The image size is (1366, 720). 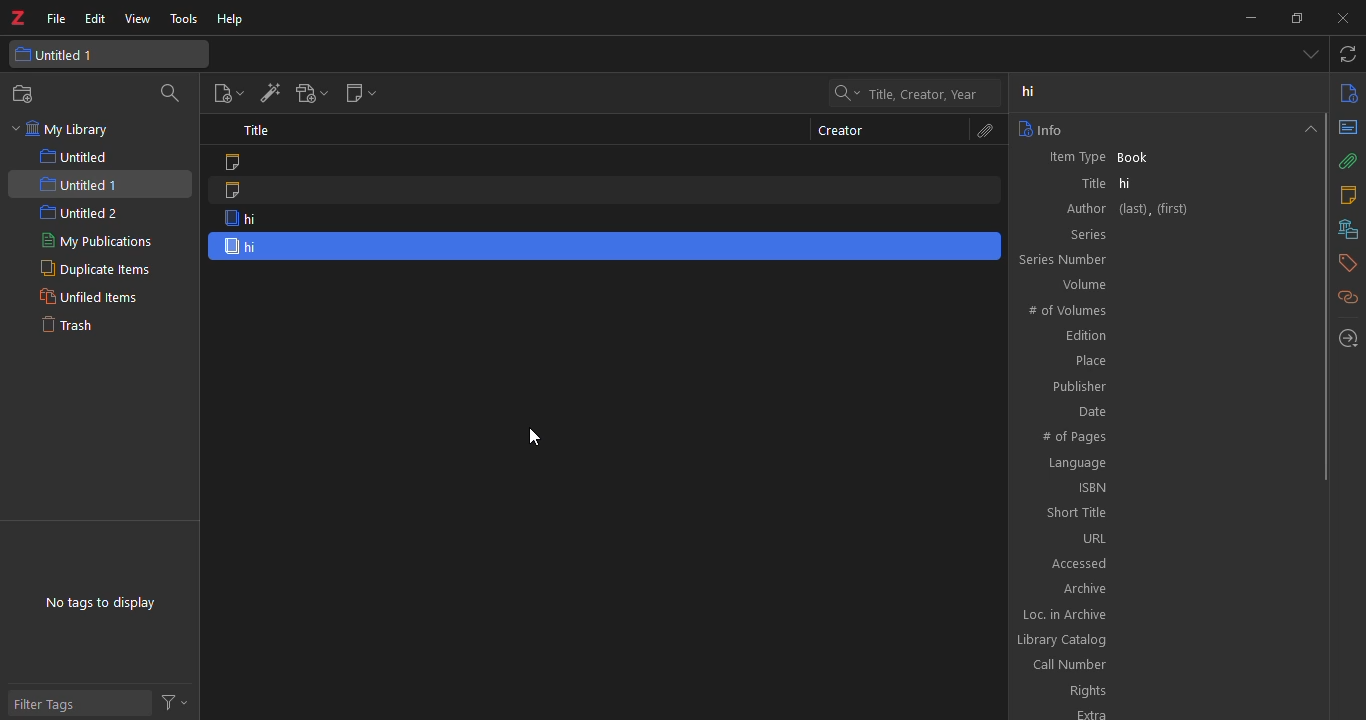 What do you see at coordinates (78, 183) in the screenshot?
I see `untitled 1` at bounding box center [78, 183].